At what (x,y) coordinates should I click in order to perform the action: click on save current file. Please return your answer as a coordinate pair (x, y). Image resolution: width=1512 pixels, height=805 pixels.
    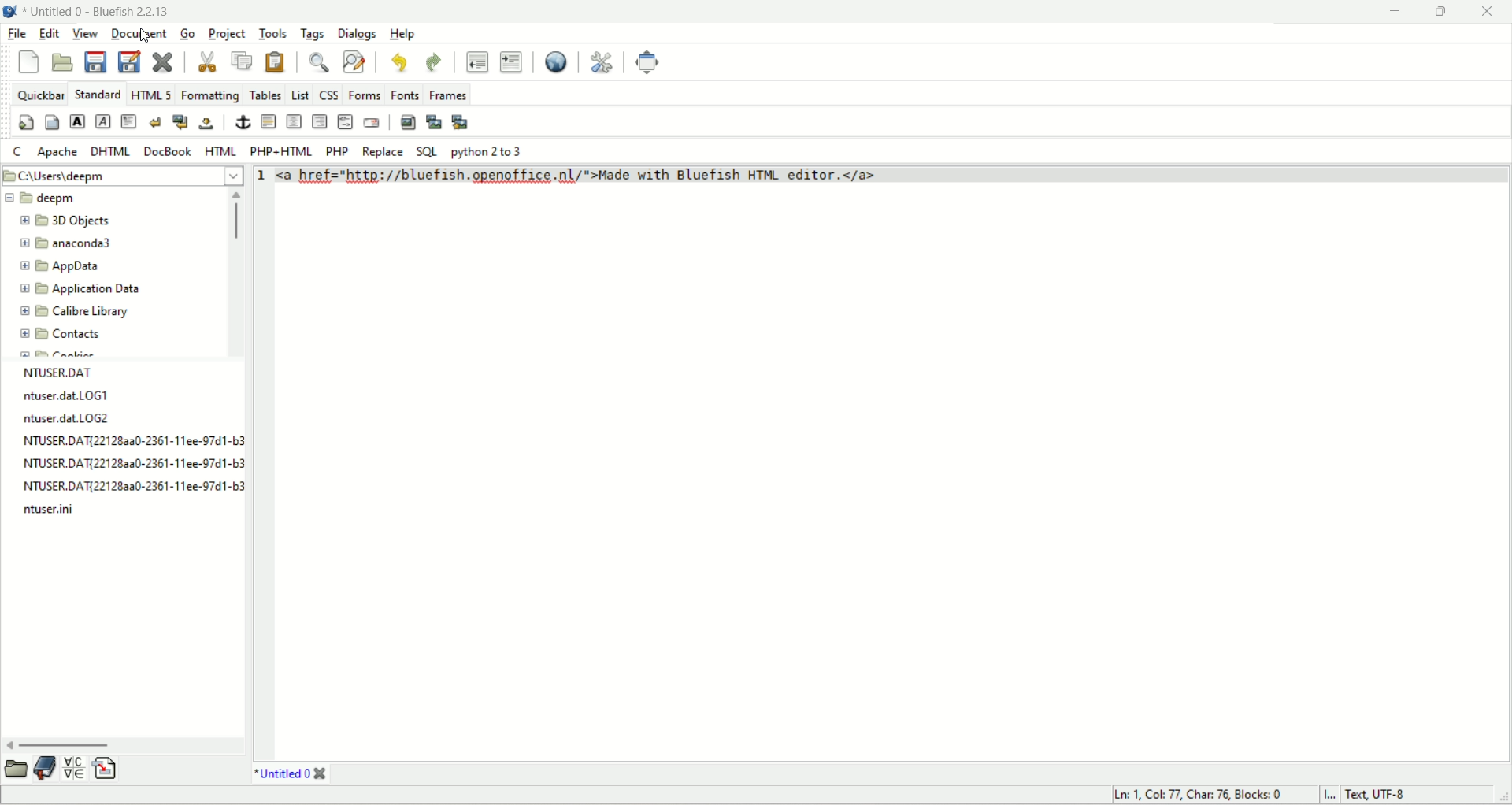
    Looking at the image, I should click on (95, 62).